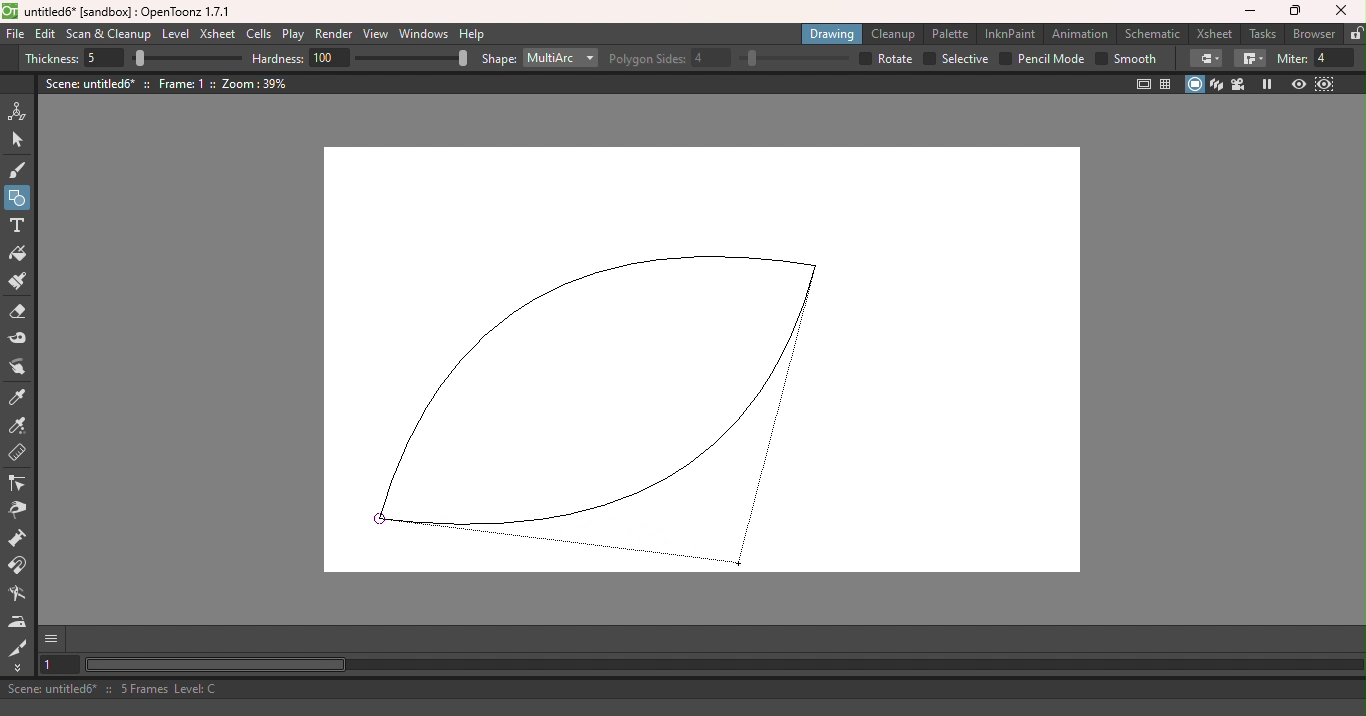 The height and width of the screenshot is (716, 1366). Describe the element at coordinates (53, 639) in the screenshot. I see `GUI Show/hide` at that location.